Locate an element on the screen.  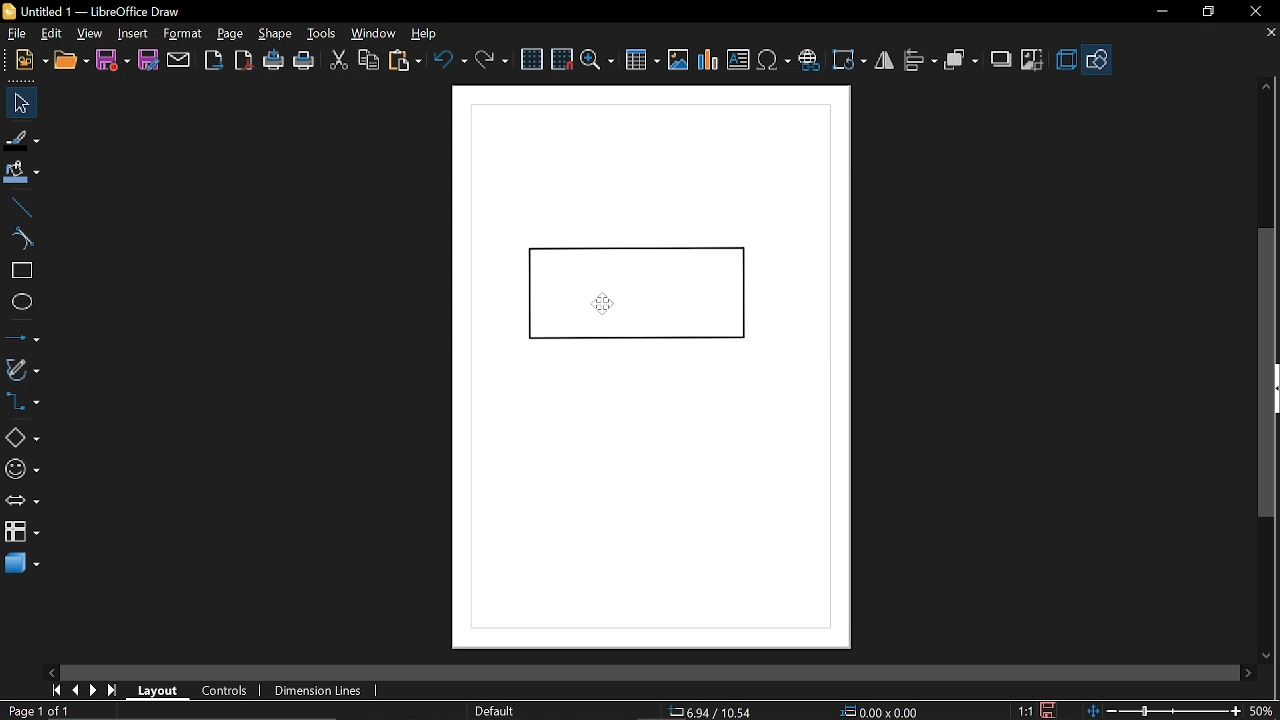
layout is located at coordinates (161, 691).